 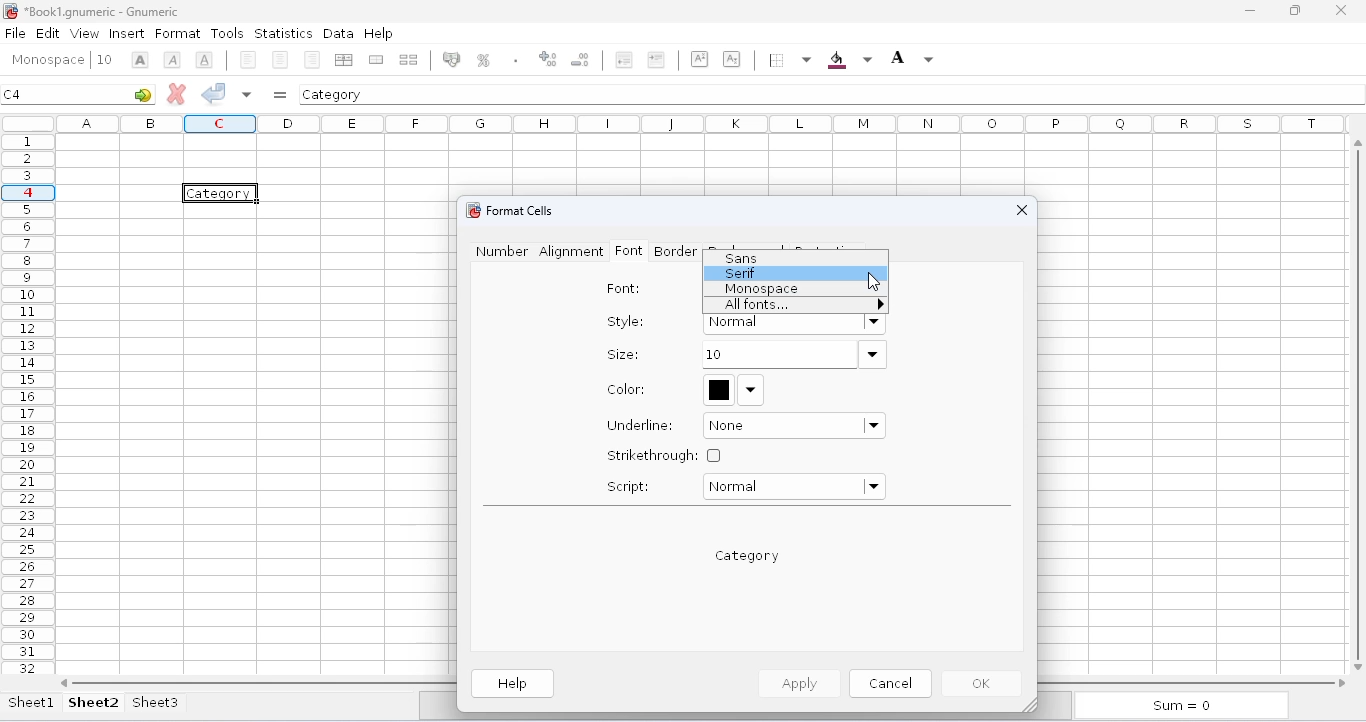 What do you see at coordinates (656, 59) in the screenshot?
I see `increase the indent` at bounding box center [656, 59].